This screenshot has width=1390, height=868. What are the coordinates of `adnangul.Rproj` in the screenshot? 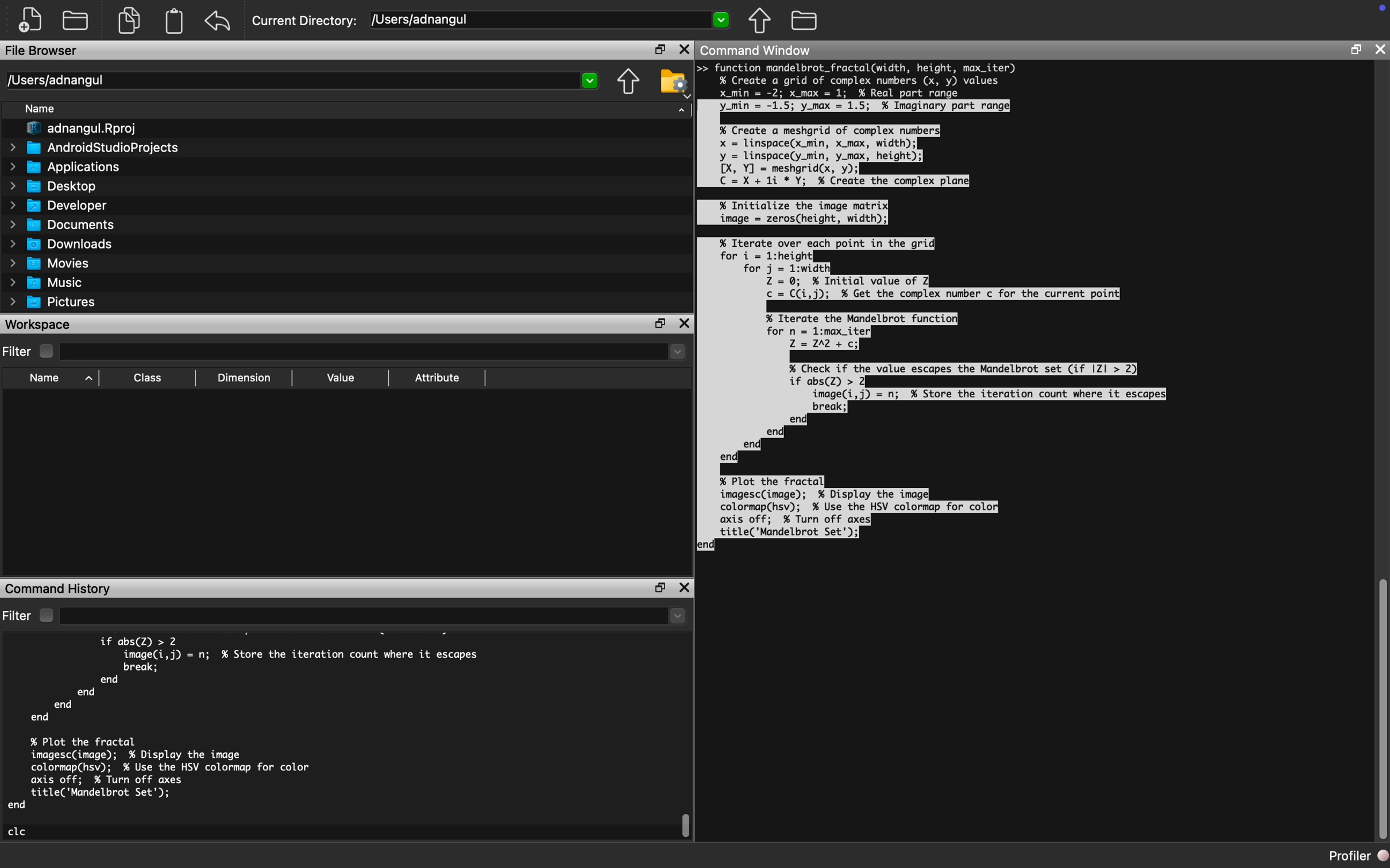 It's located at (83, 129).